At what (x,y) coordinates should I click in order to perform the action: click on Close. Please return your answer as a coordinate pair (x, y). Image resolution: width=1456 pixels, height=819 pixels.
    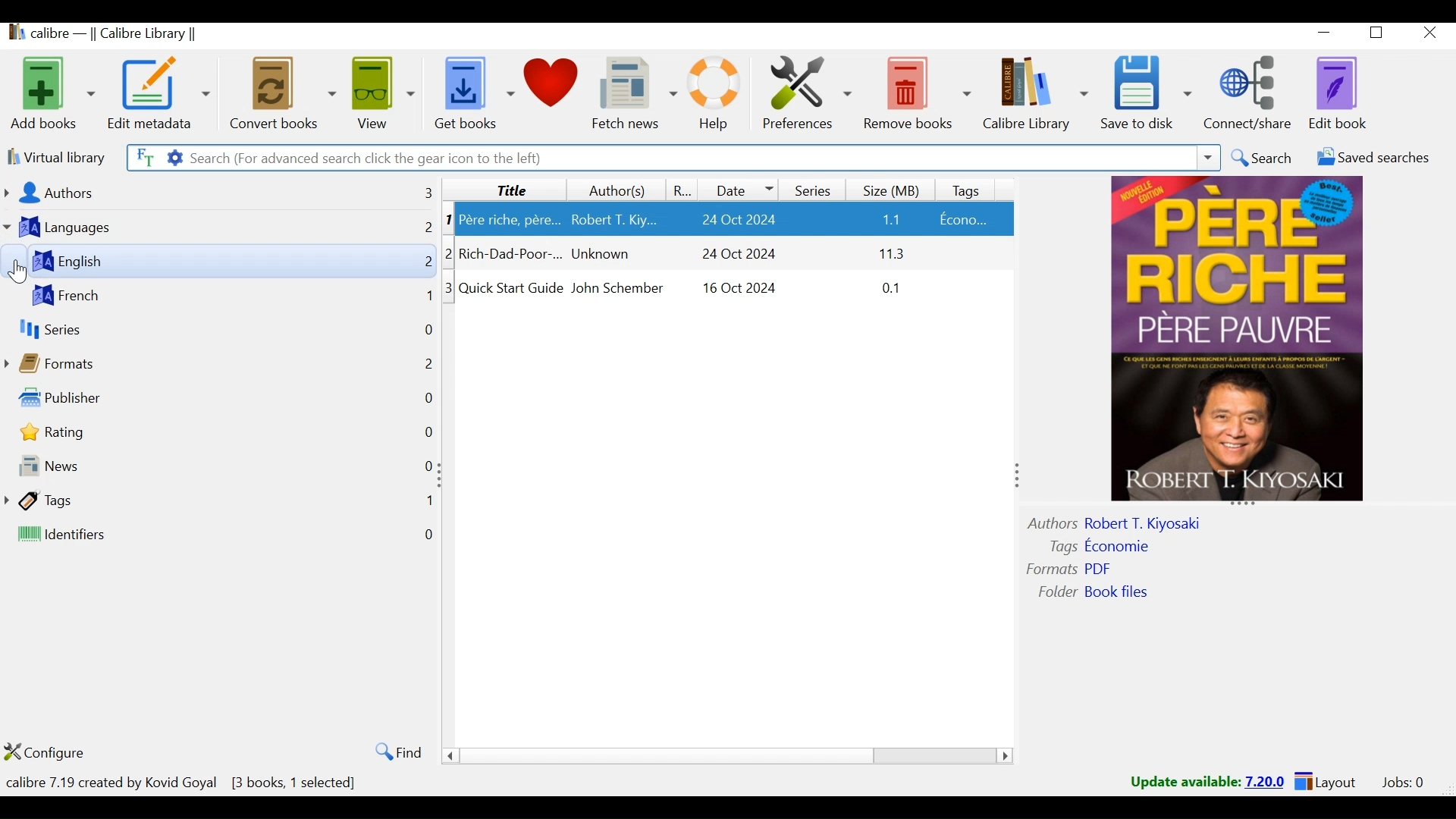
    Looking at the image, I should click on (1430, 34).